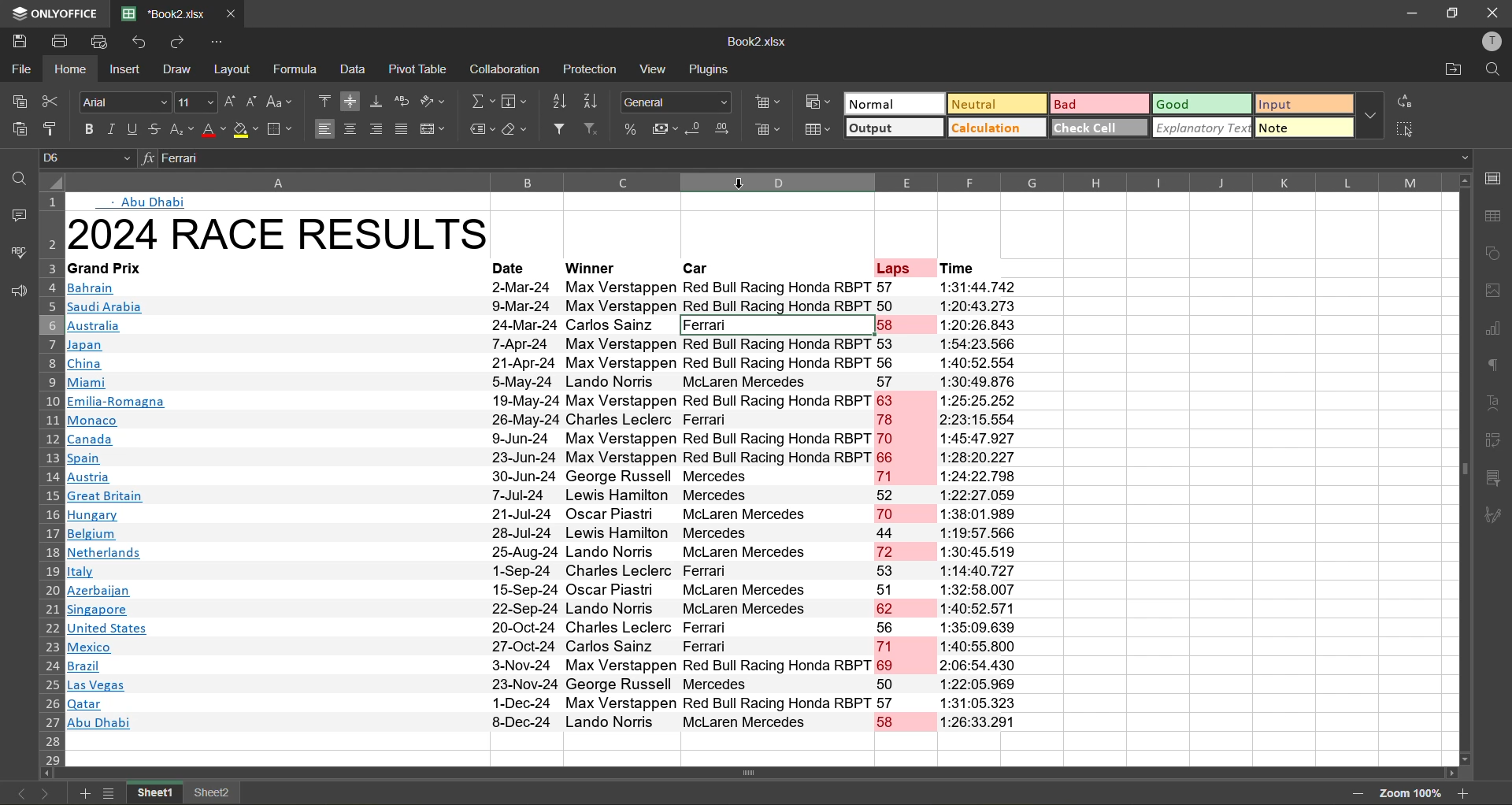  What do you see at coordinates (1464, 759) in the screenshot?
I see `move down` at bounding box center [1464, 759].